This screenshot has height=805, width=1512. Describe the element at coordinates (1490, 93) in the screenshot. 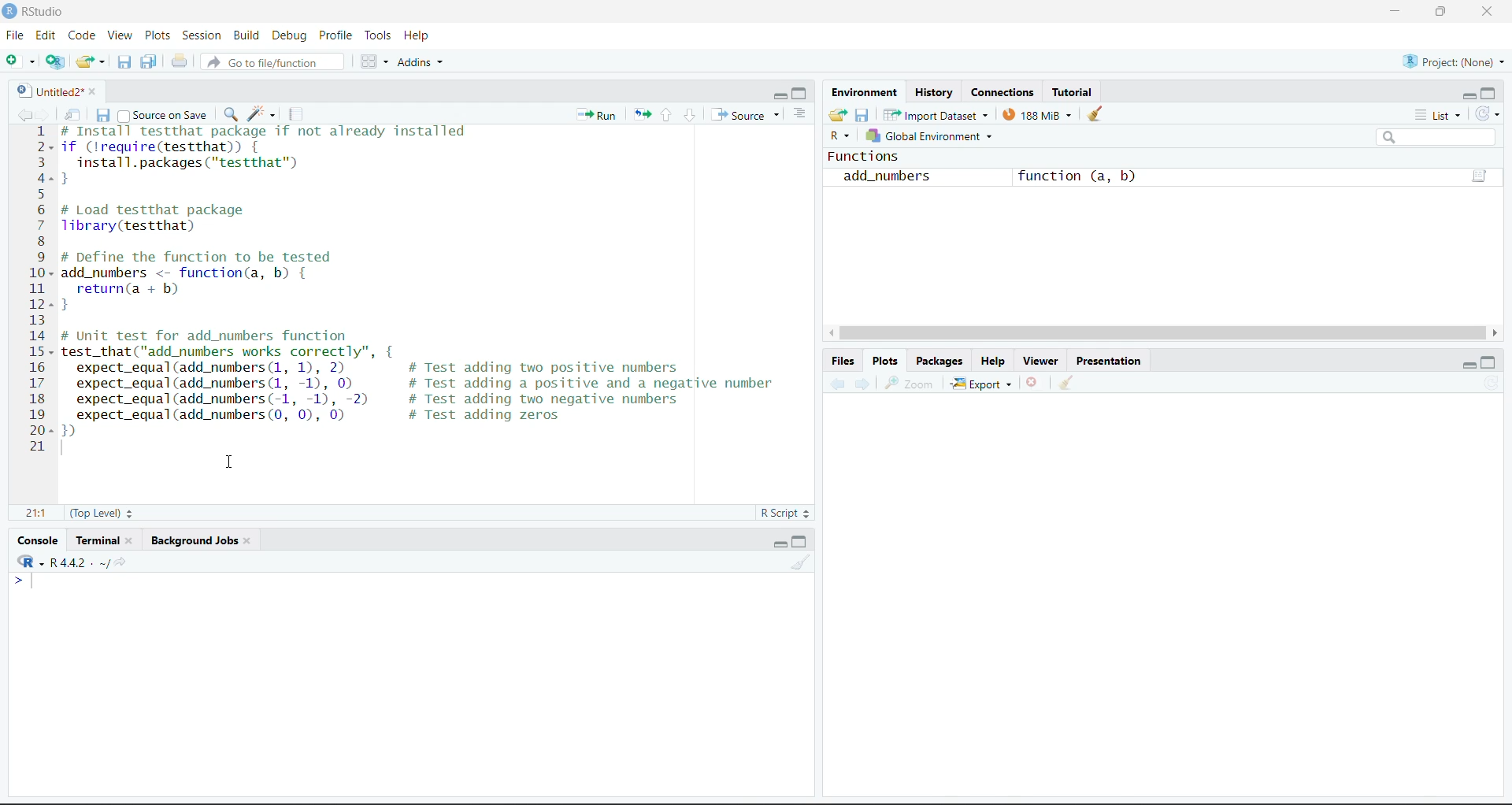

I see `maximize` at that location.